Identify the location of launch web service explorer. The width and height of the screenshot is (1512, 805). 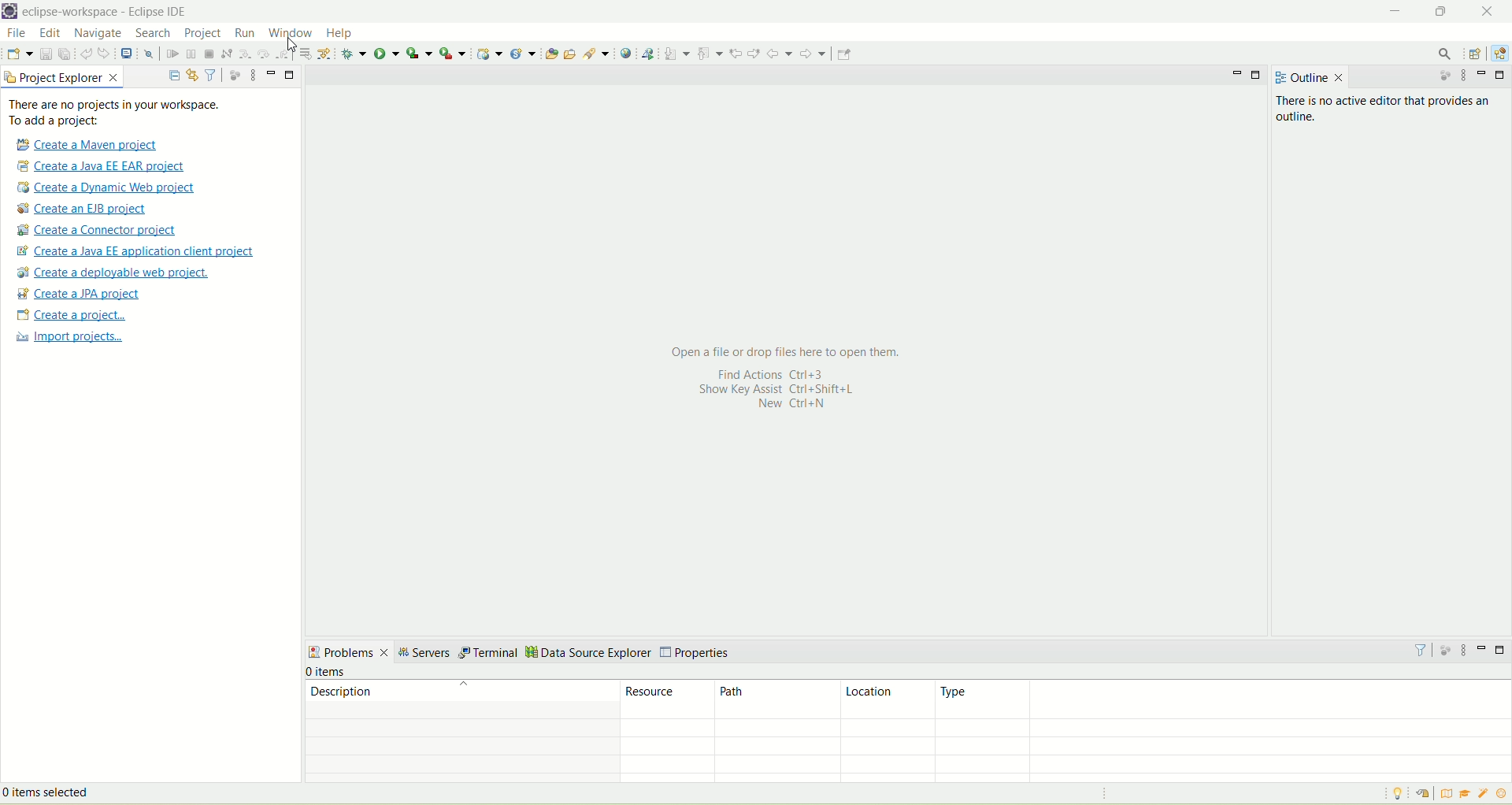
(647, 54).